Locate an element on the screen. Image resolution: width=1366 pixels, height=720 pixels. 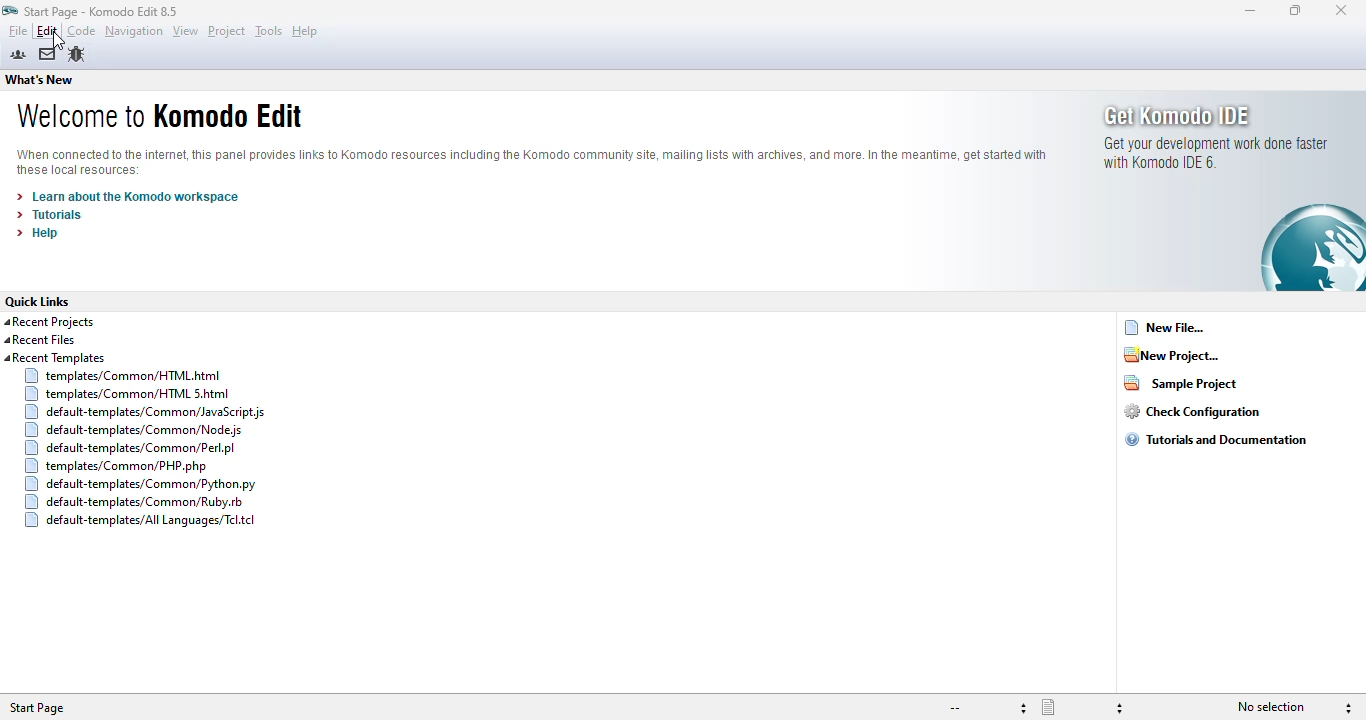
report a bug in the komodo bugzilla database is located at coordinates (76, 54).